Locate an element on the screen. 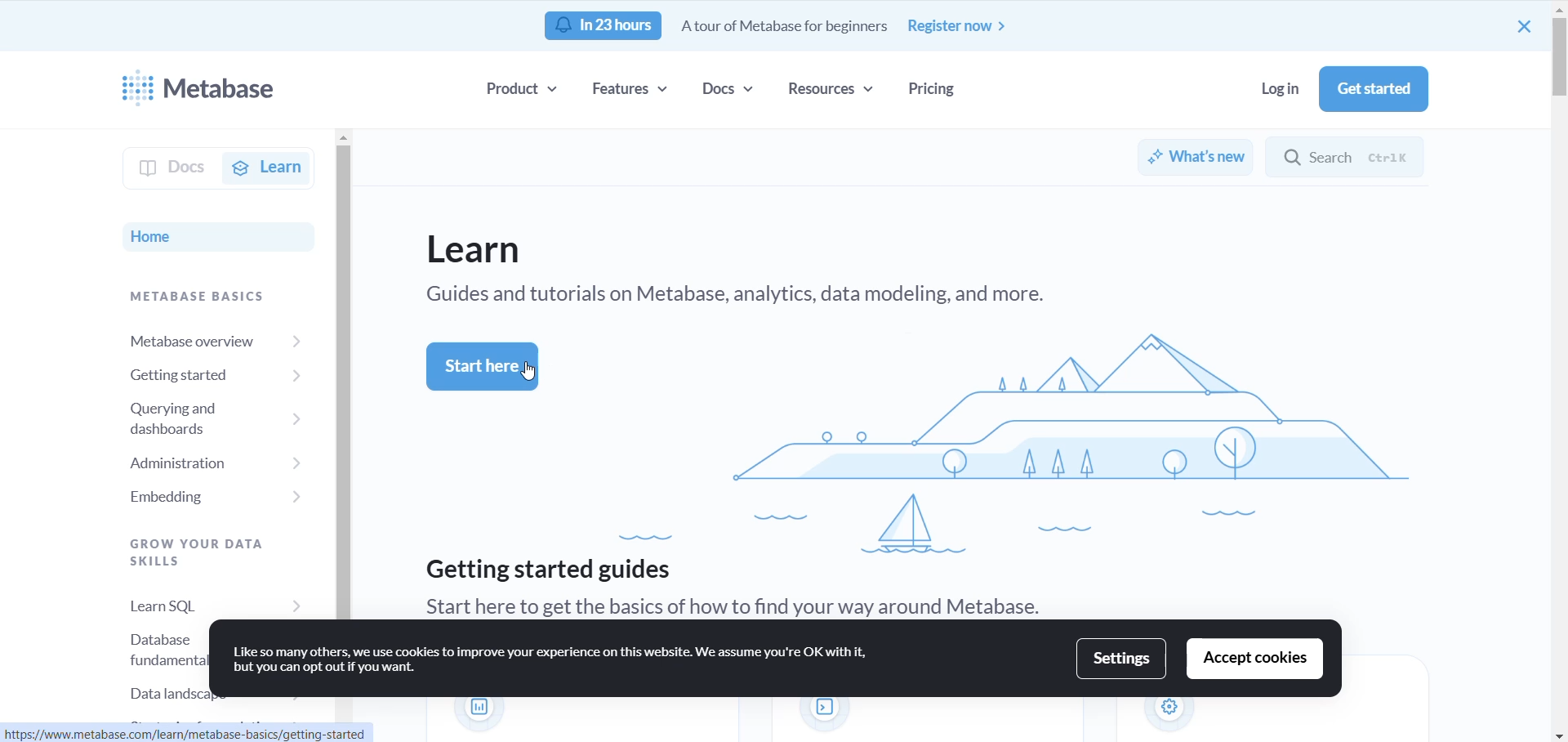 The width and height of the screenshot is (1568, 742). register now button is located at coordinates (959, 26).